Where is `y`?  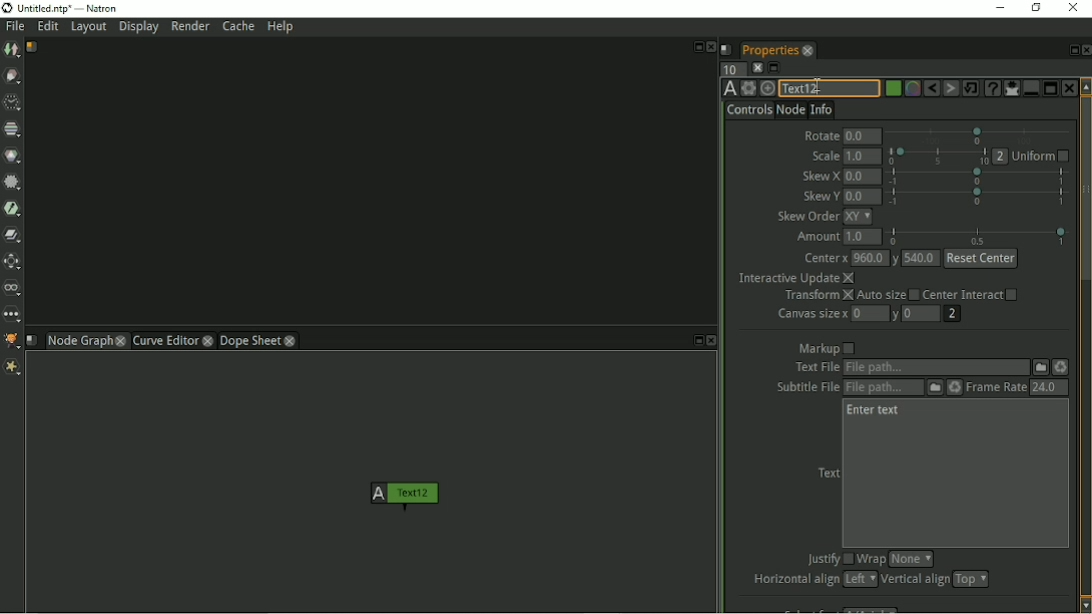 y is located at coordinates (896, 258).